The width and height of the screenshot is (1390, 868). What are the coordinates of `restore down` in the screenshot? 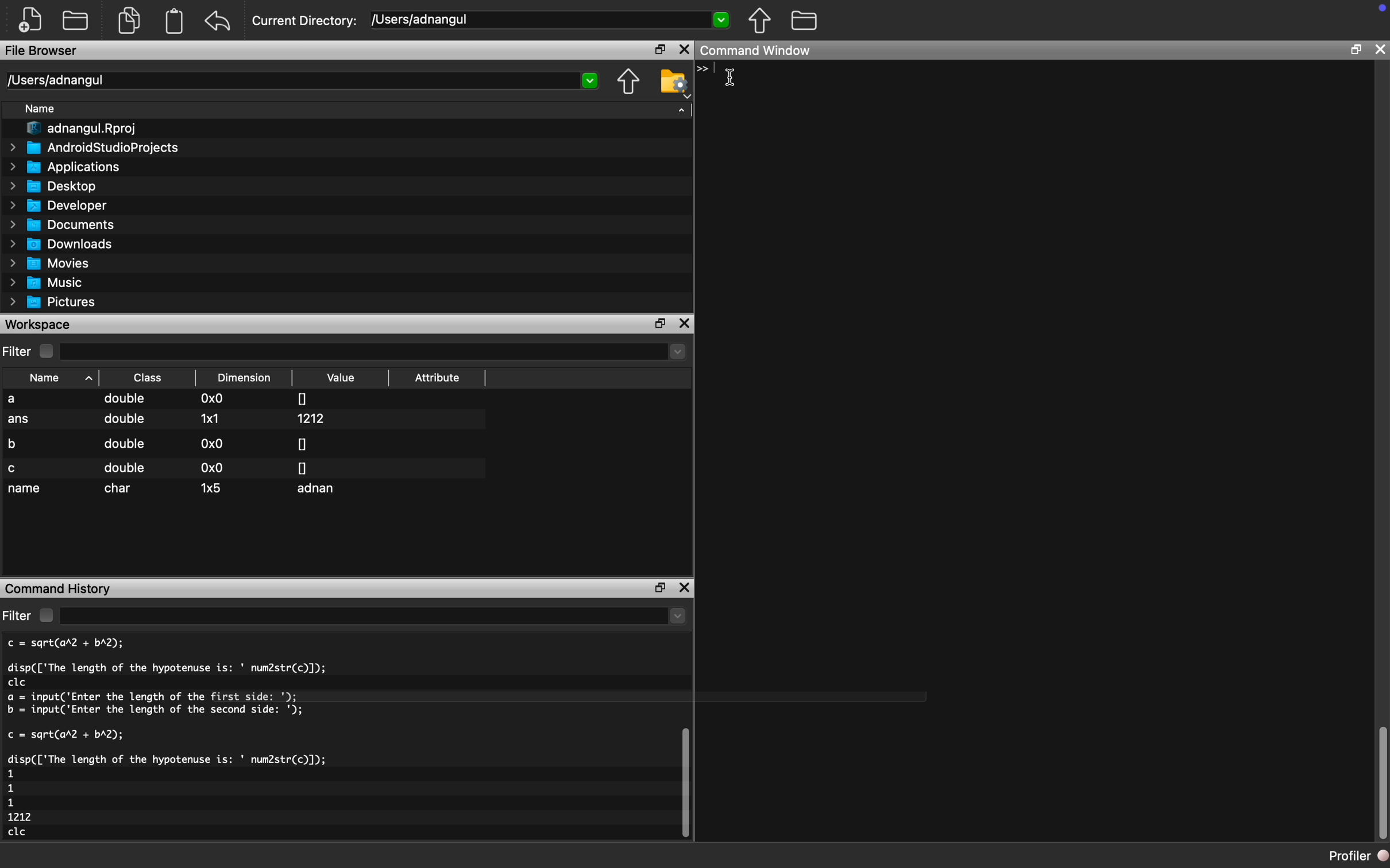 It's located at (1355, 52).